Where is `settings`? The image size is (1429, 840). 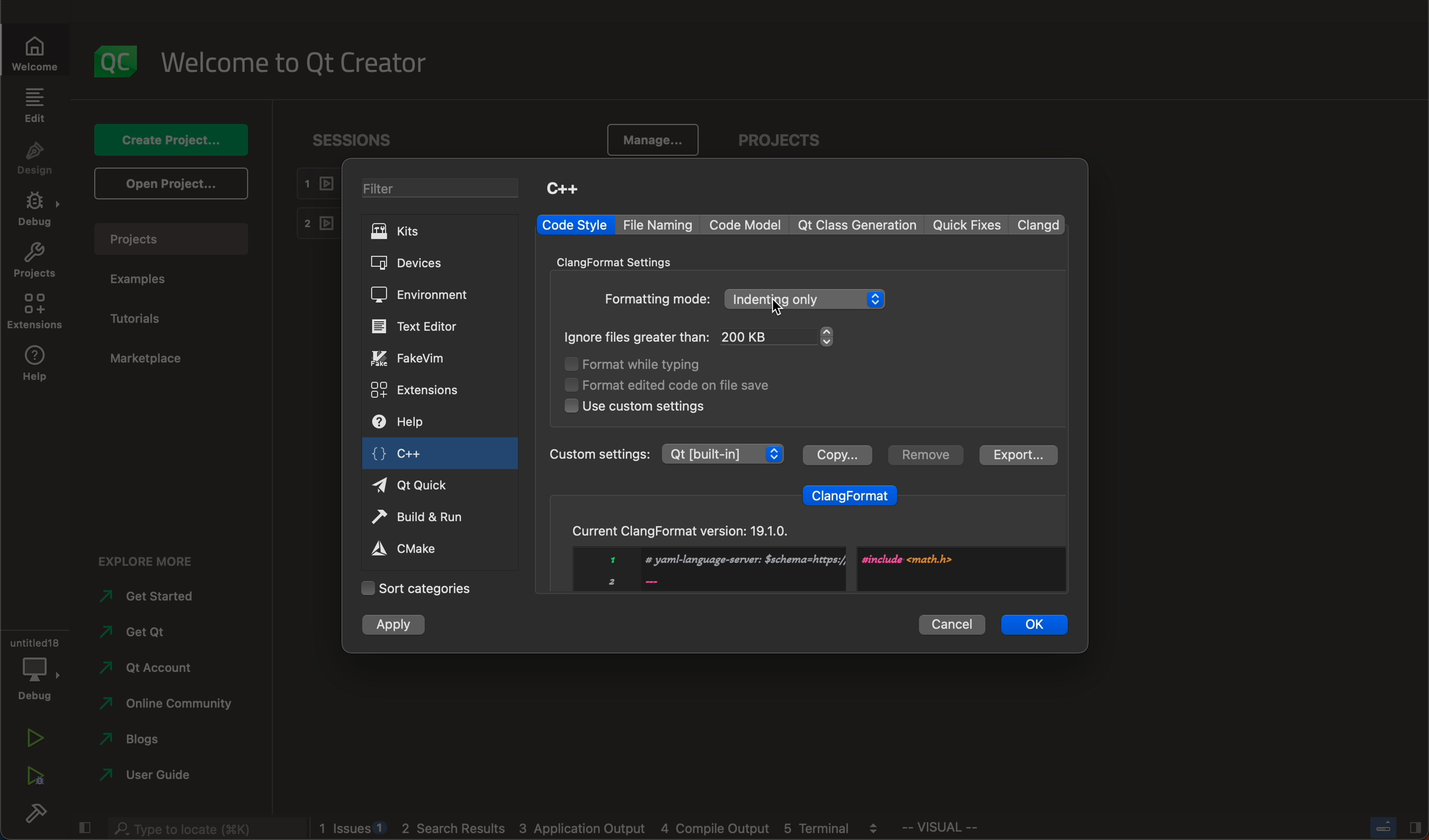
settings is located at coordinates (623, 261).